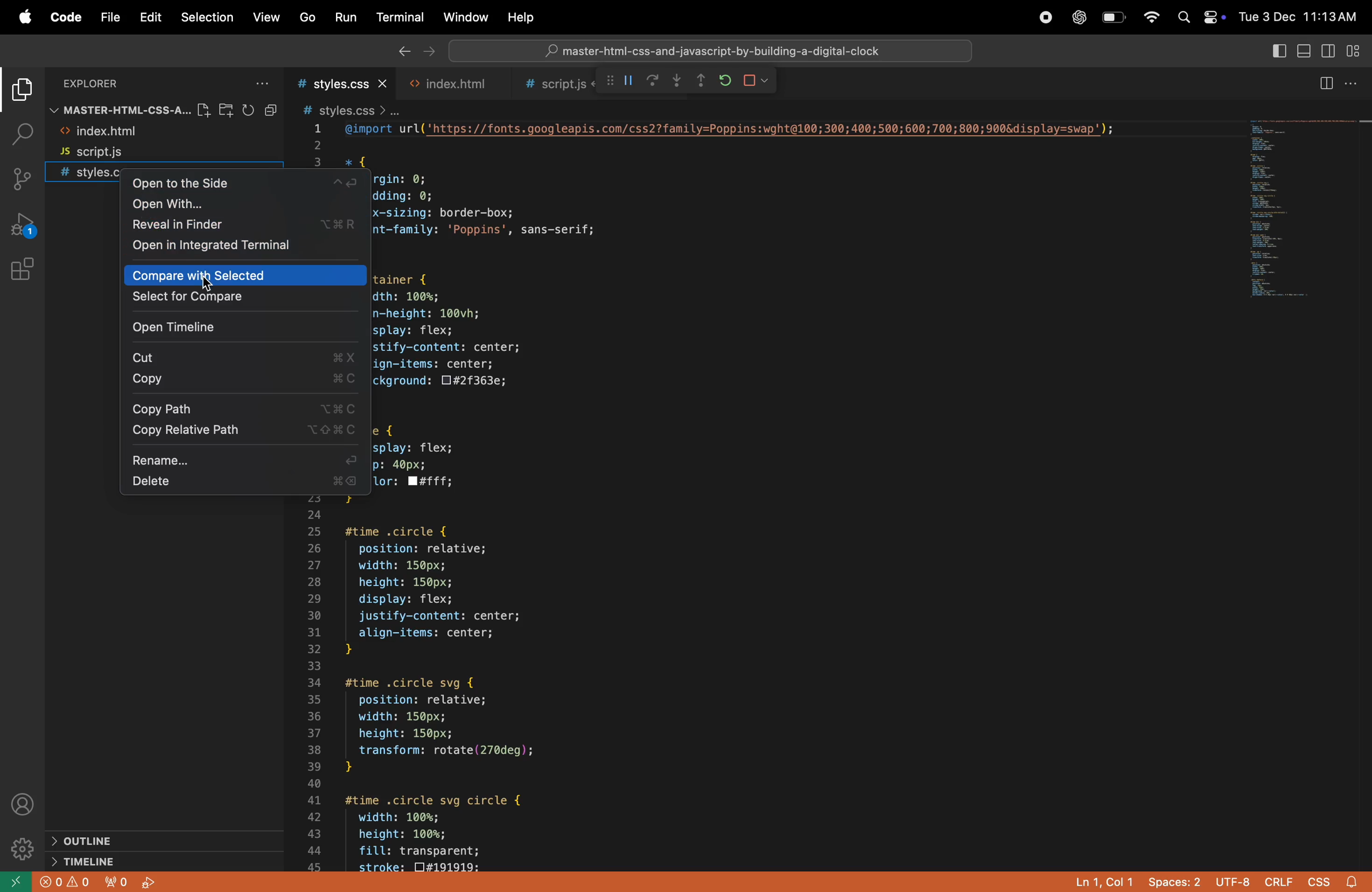 The image size is (1372, 892). I want to click on search, so click(19, 135).